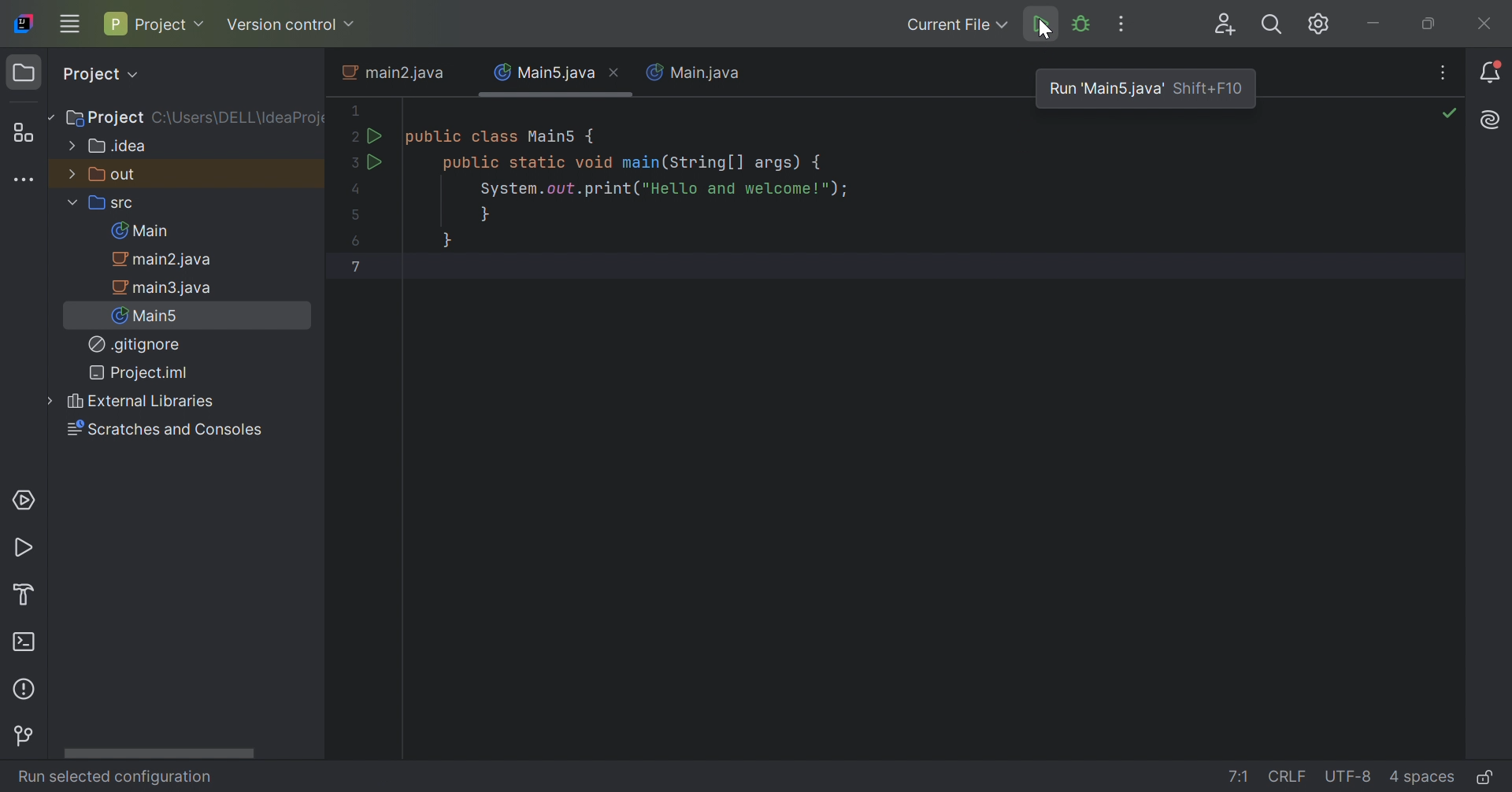  I want to click on No problems, so click(1451, 113).